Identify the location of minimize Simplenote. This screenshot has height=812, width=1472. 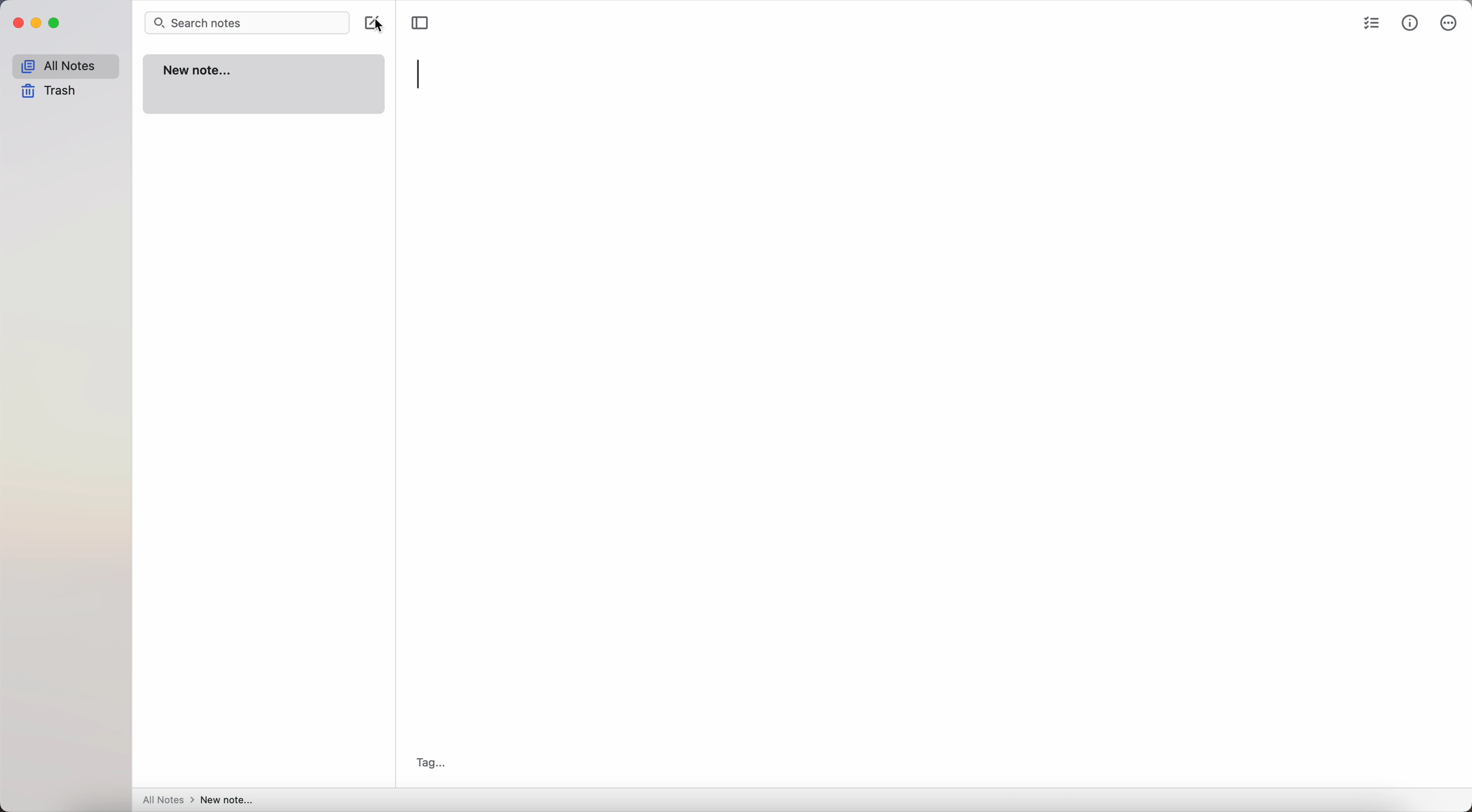
(36, 22).